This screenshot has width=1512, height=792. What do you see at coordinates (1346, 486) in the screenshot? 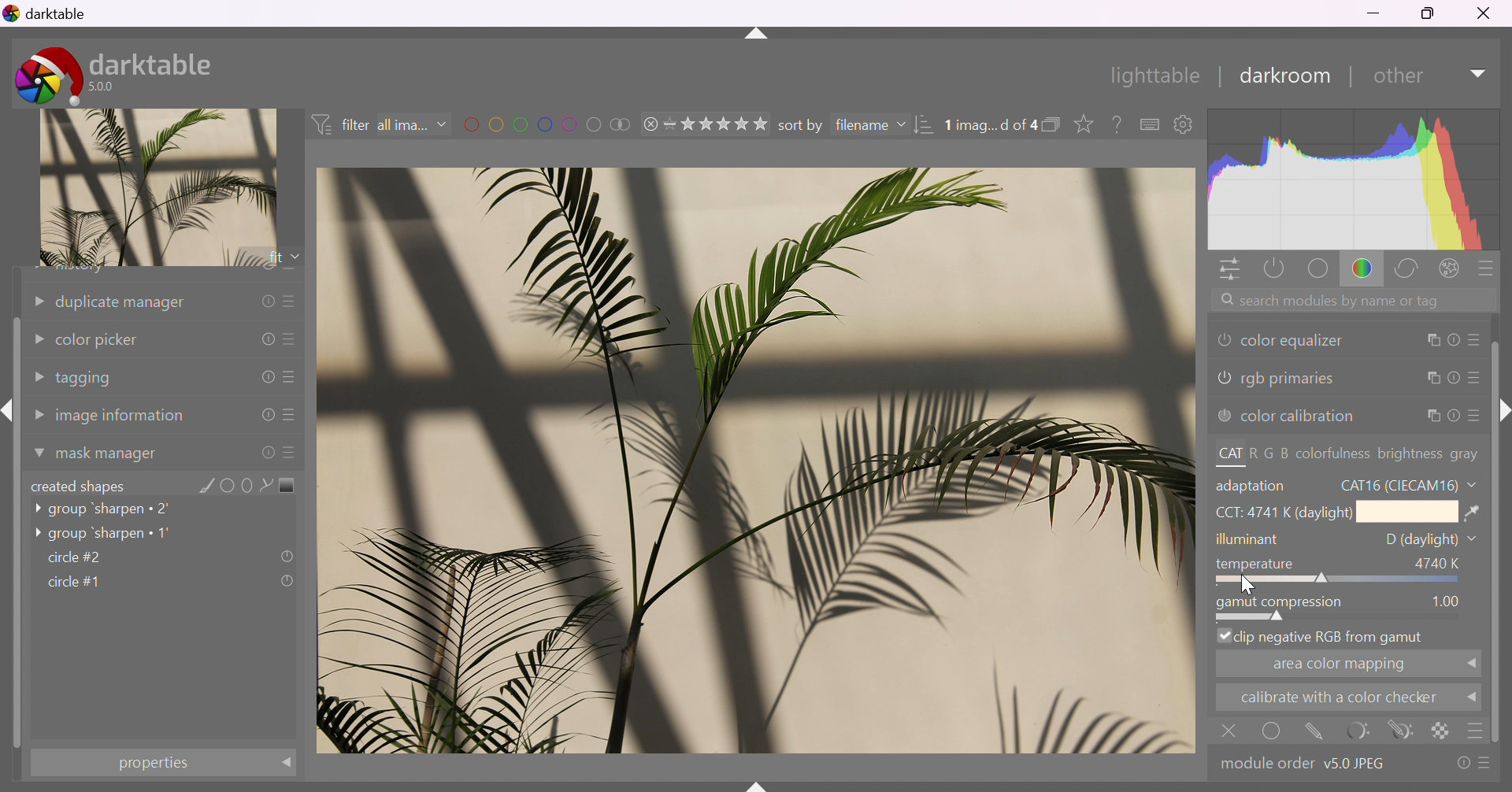
I see `adaptation` at bounding box center [1346, 486].